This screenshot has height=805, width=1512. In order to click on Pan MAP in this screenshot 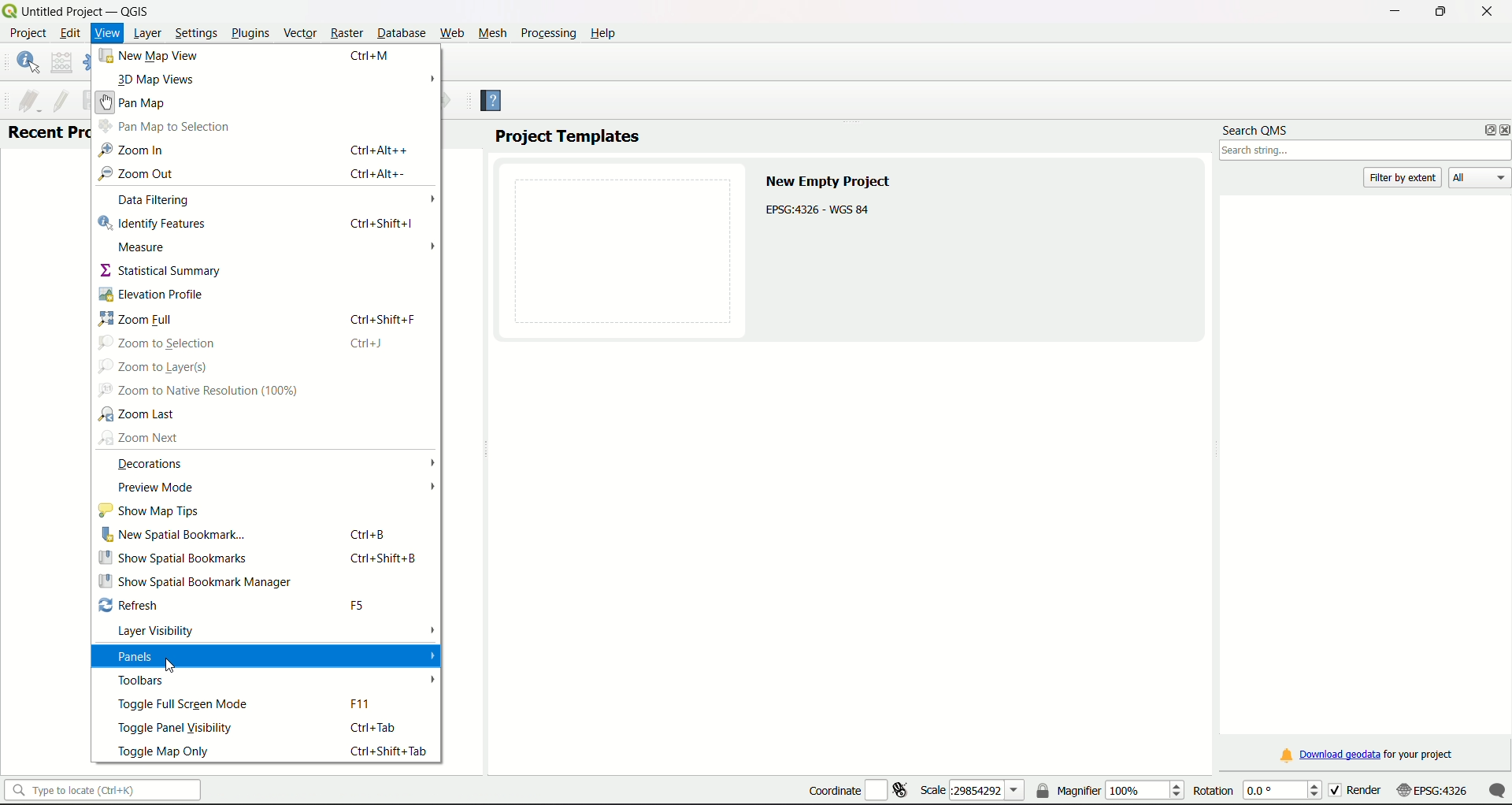, I will do `click(139, 101)`.